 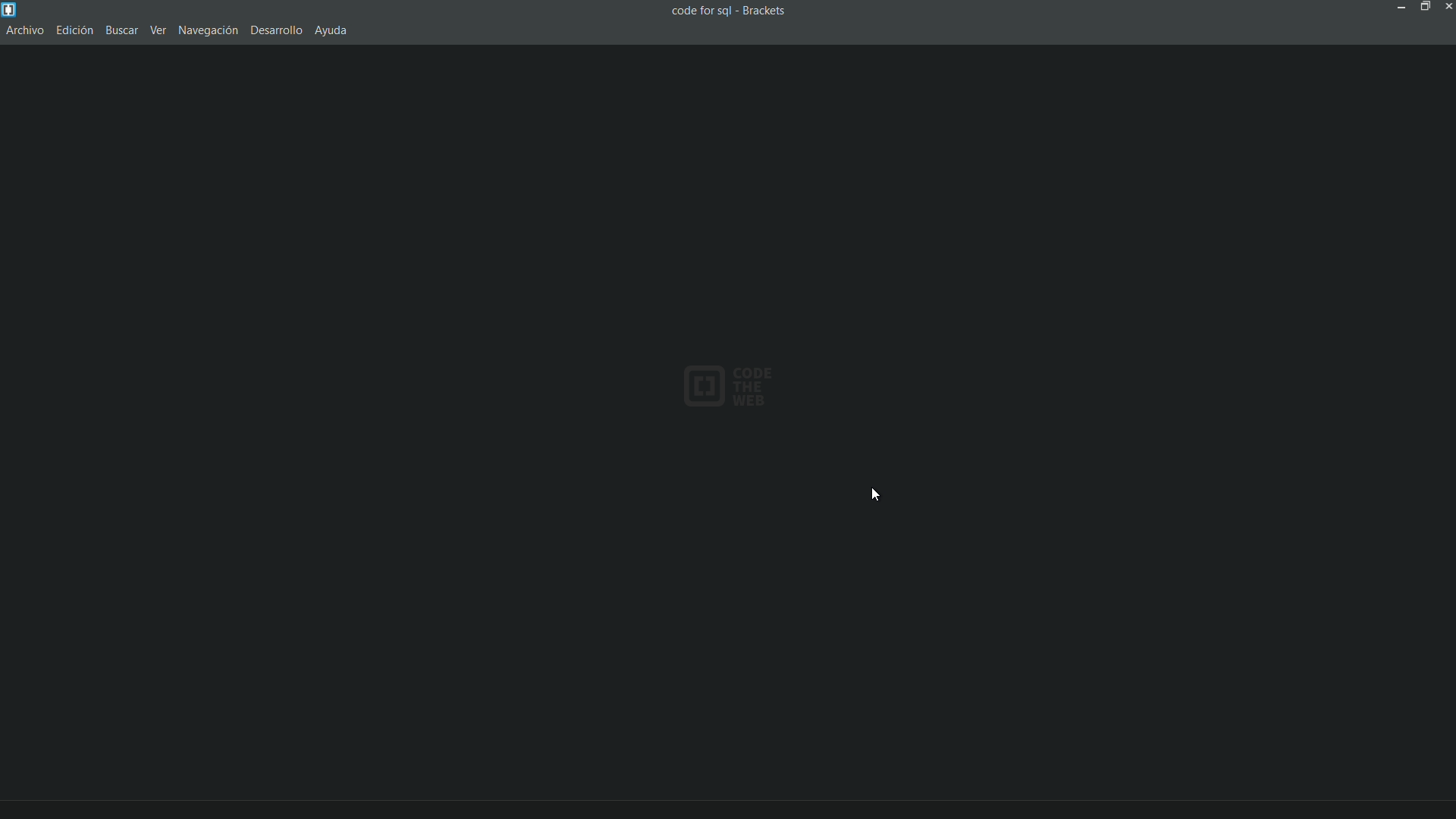 I want to click on Ver, so click(x=159, y=32).